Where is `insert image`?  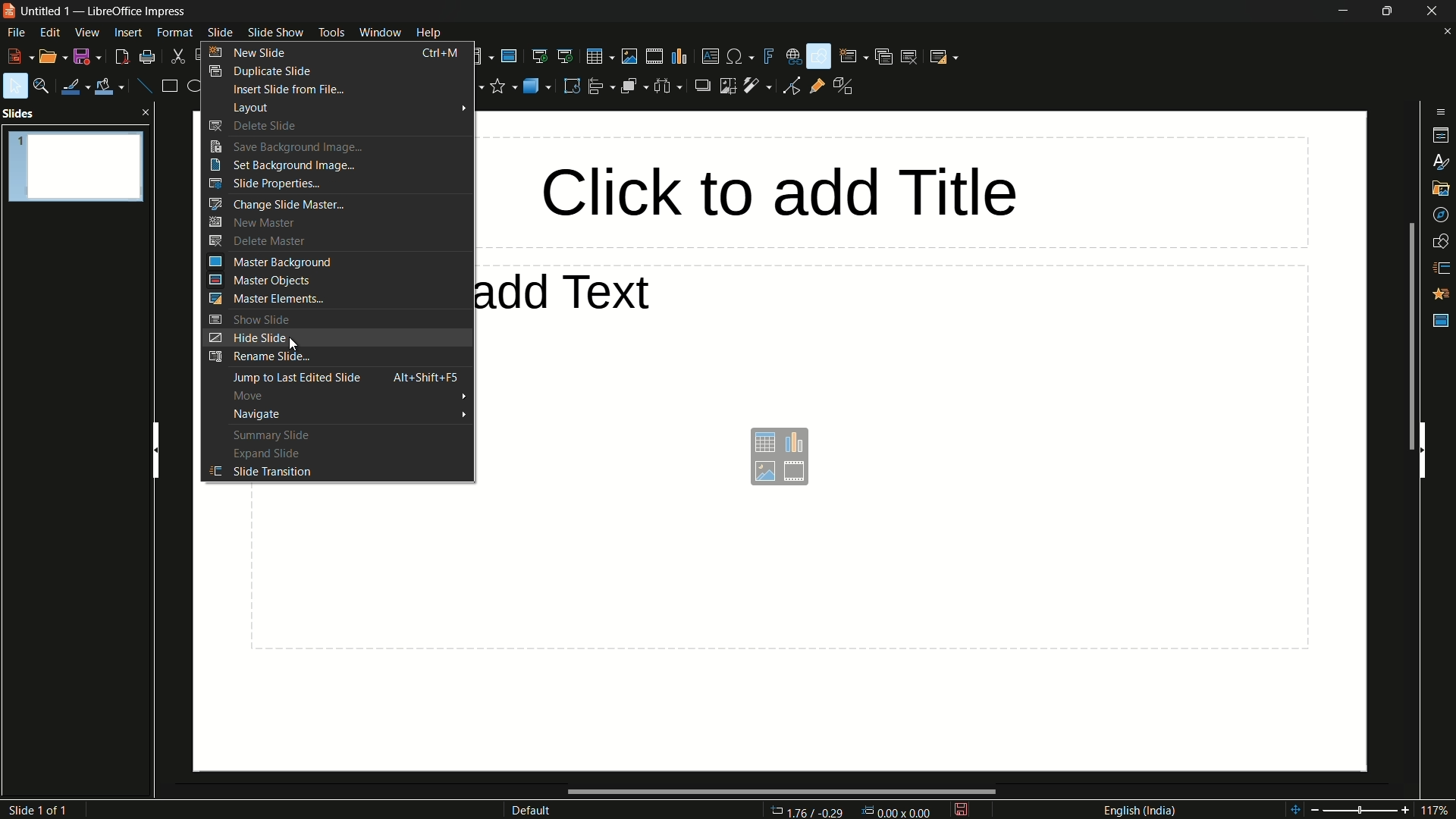 insert image is located at coordinates (765, 472).